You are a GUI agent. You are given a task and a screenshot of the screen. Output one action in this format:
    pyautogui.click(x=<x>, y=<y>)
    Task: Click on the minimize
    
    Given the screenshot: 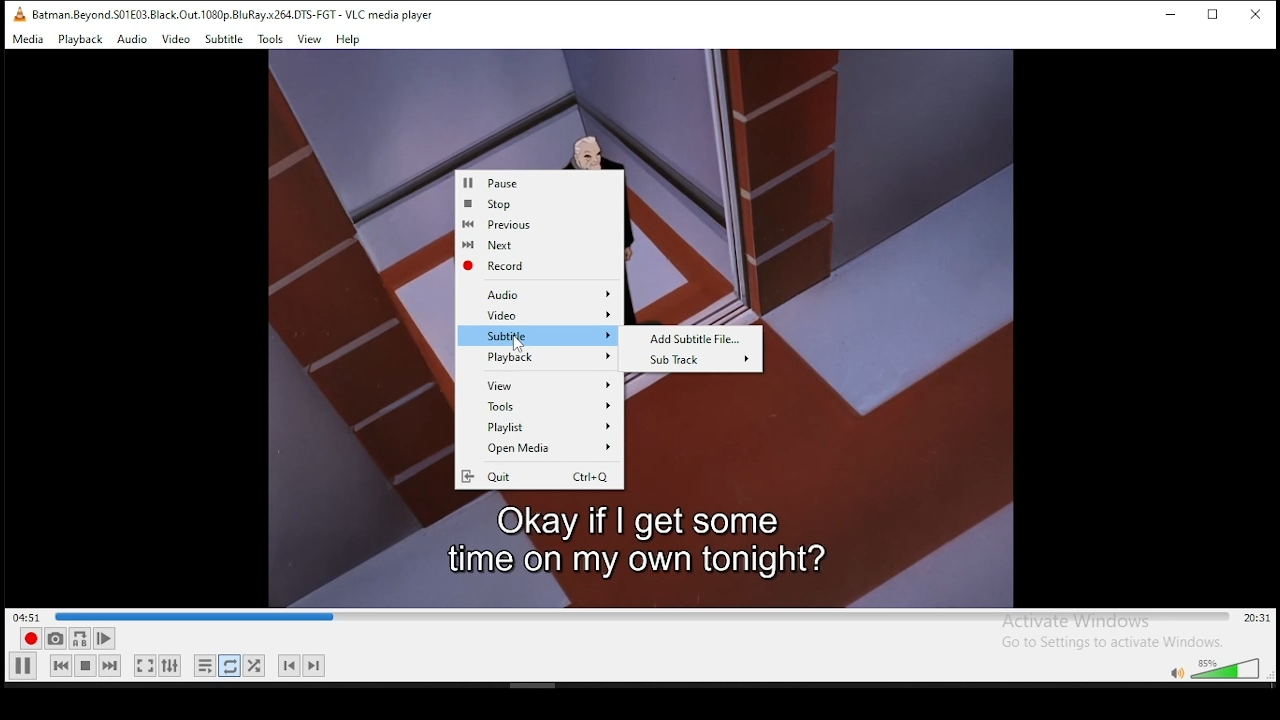 What is the action you would take?
    pyautogui.click(x=1175, y=16)
    